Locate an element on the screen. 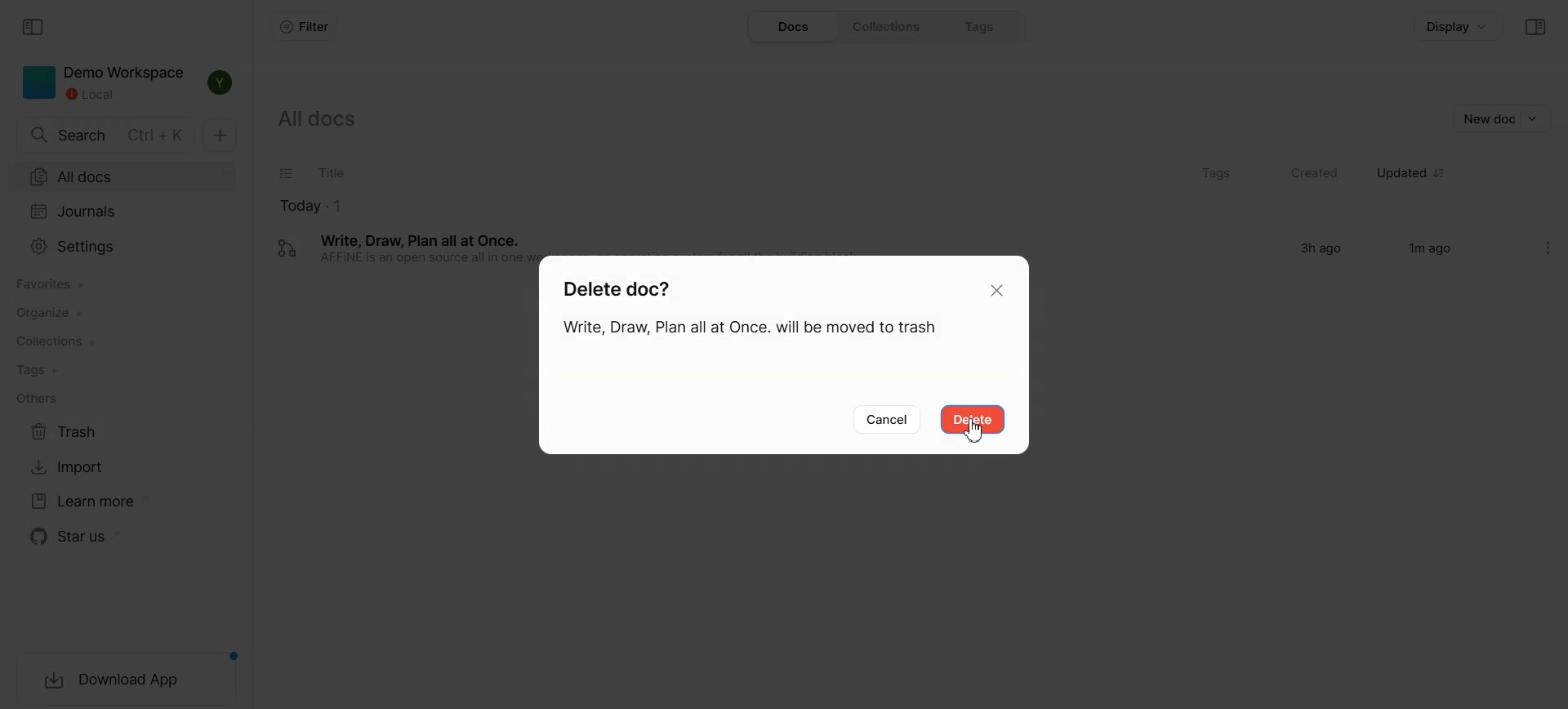 Image resolution: width=1568 pixels, height=709 pixels. More setting is located at coordinates (1552, 247).